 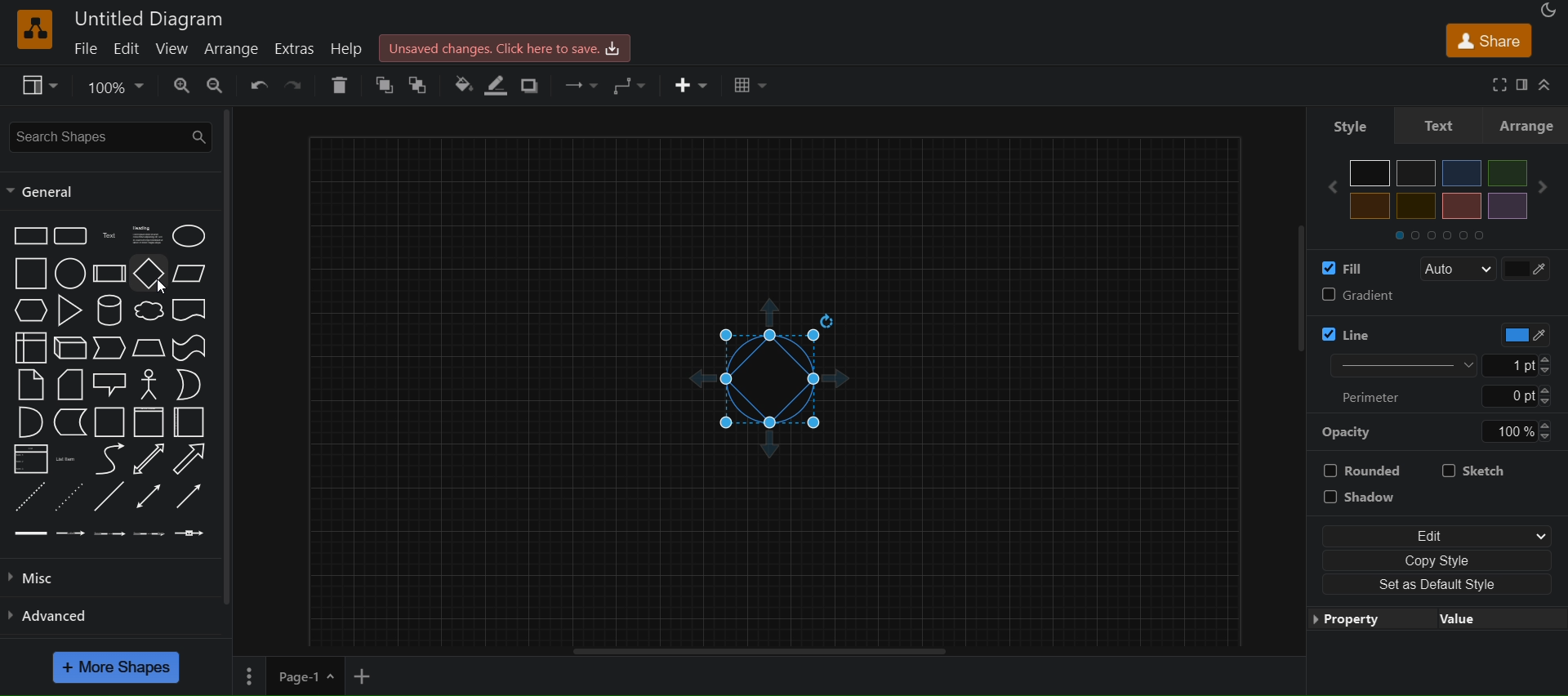 I want to click on page 1, so click(x=287, y=677).